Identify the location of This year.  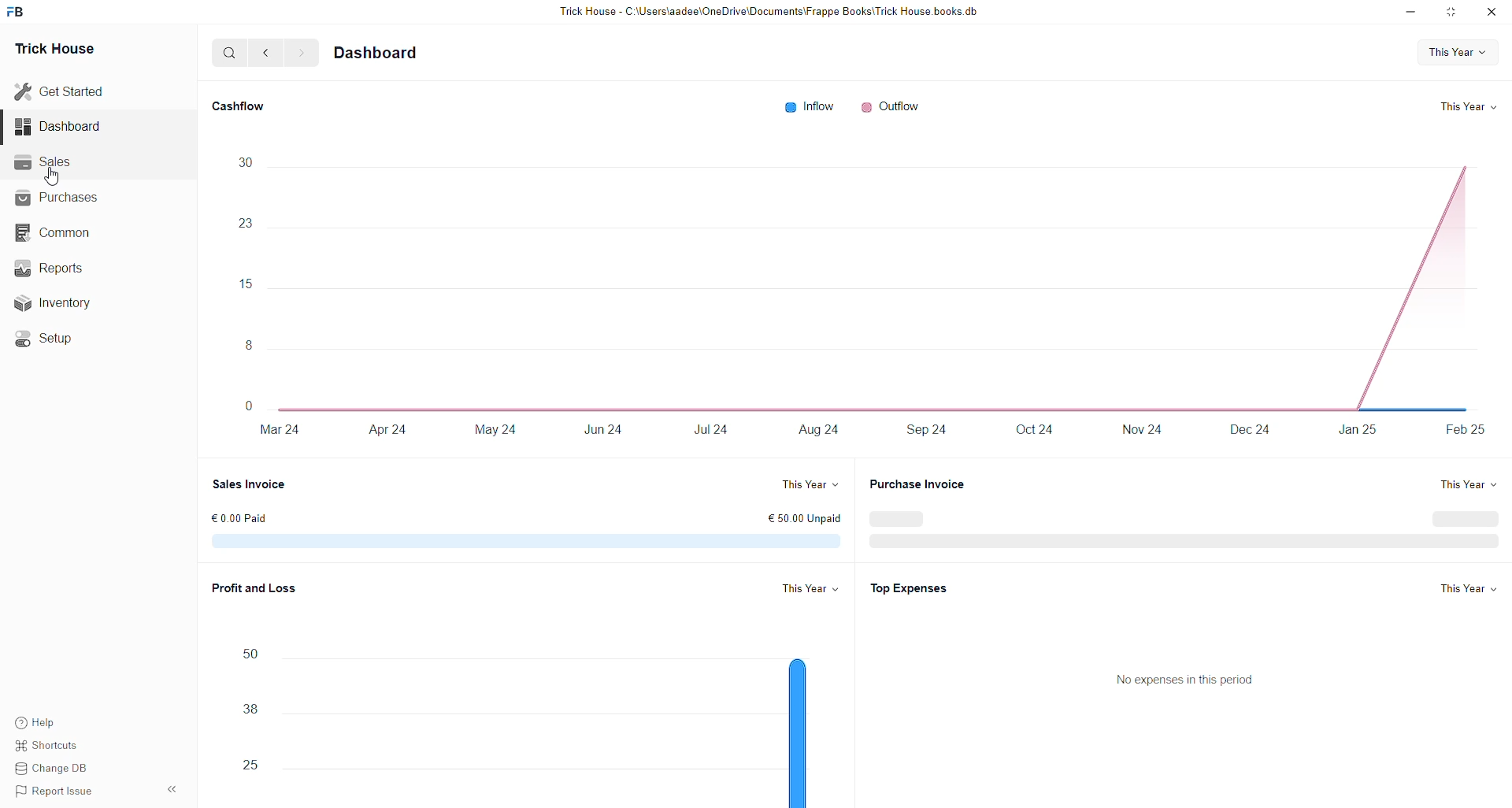
(1460, 488).